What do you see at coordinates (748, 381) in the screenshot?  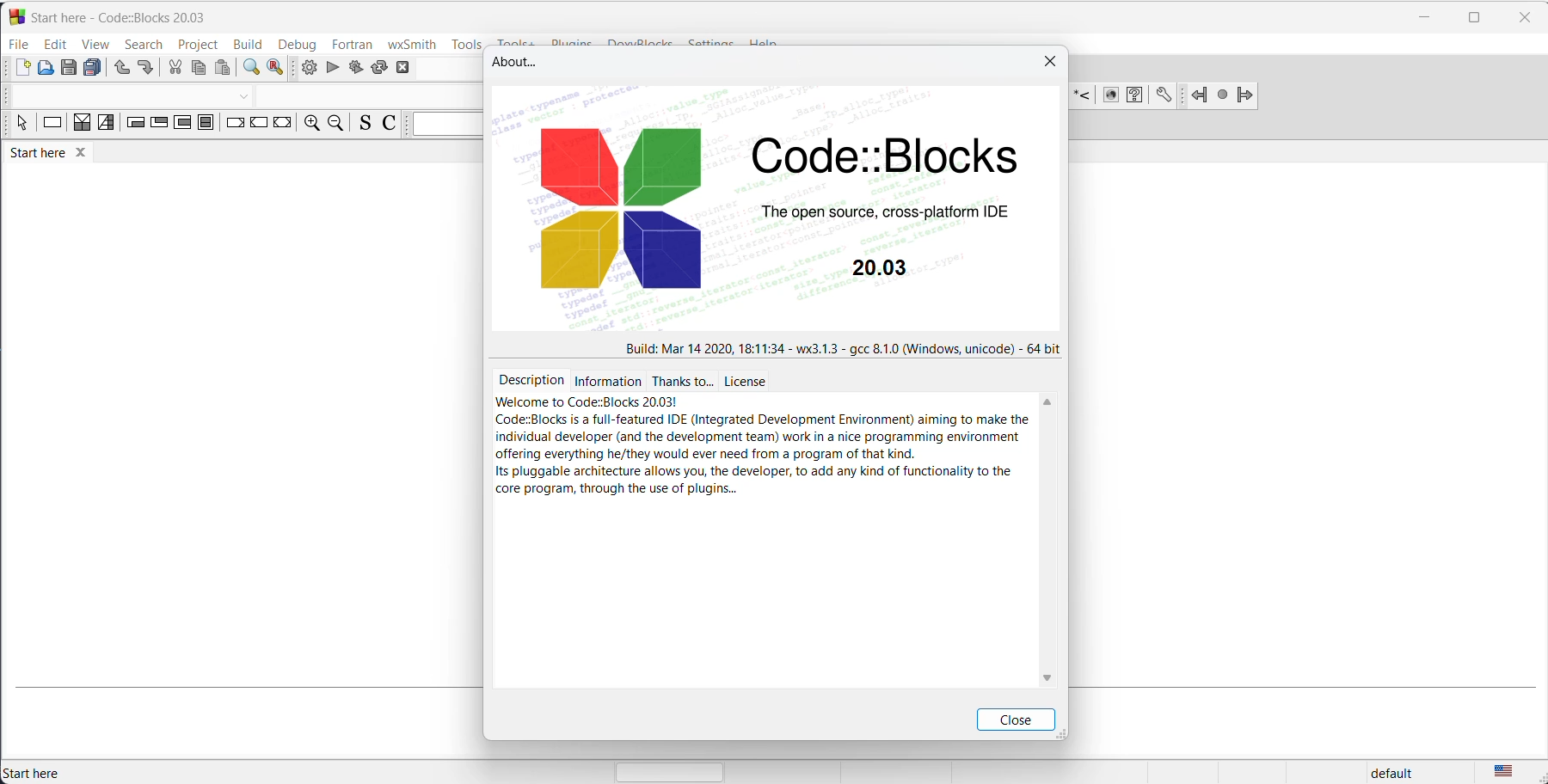 I see `License` at bounding box center [748, 381].